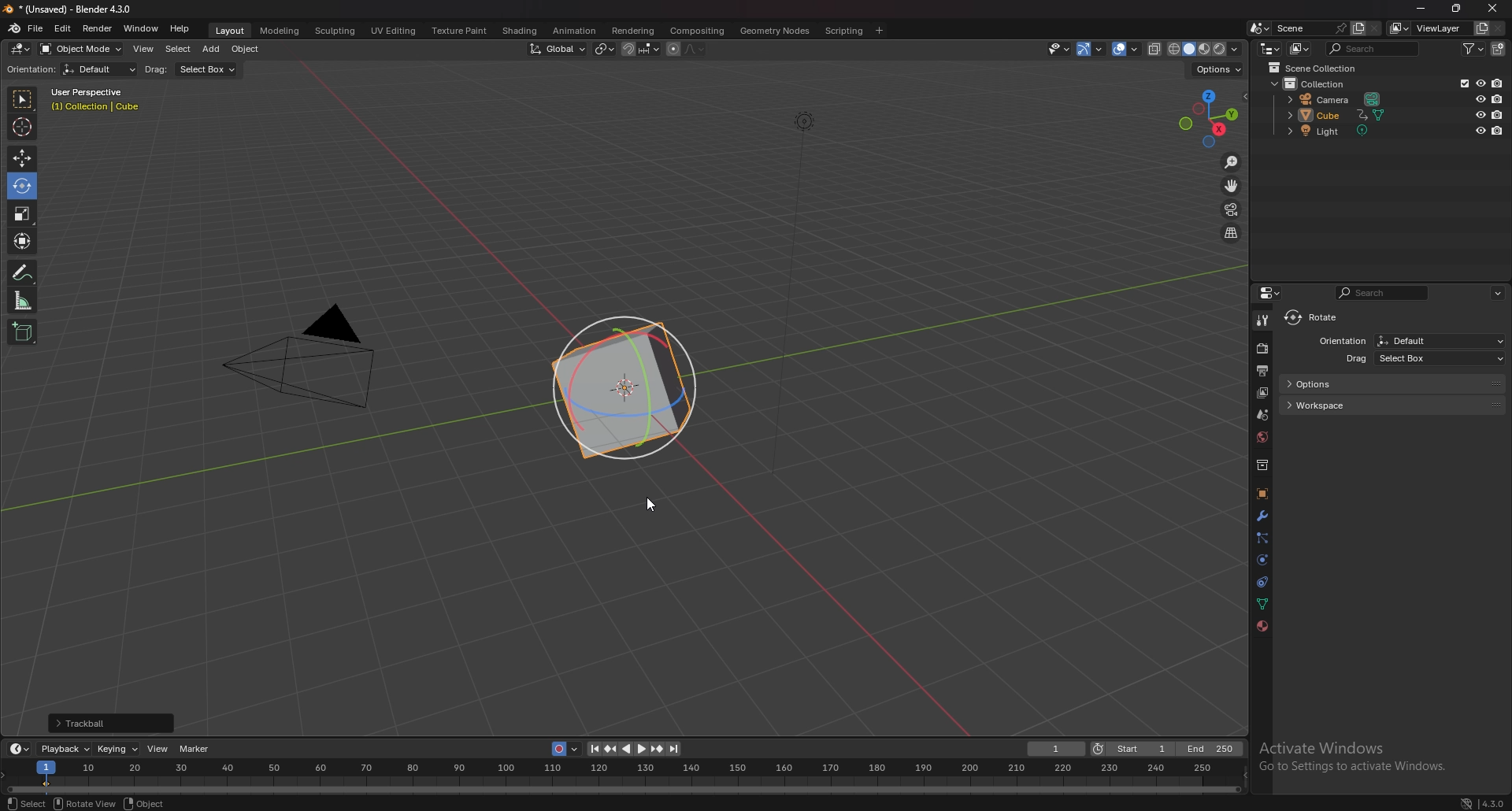  Describe the element at coordinates (1482, 28) in the screenshot. I see `add view layer` at that location.